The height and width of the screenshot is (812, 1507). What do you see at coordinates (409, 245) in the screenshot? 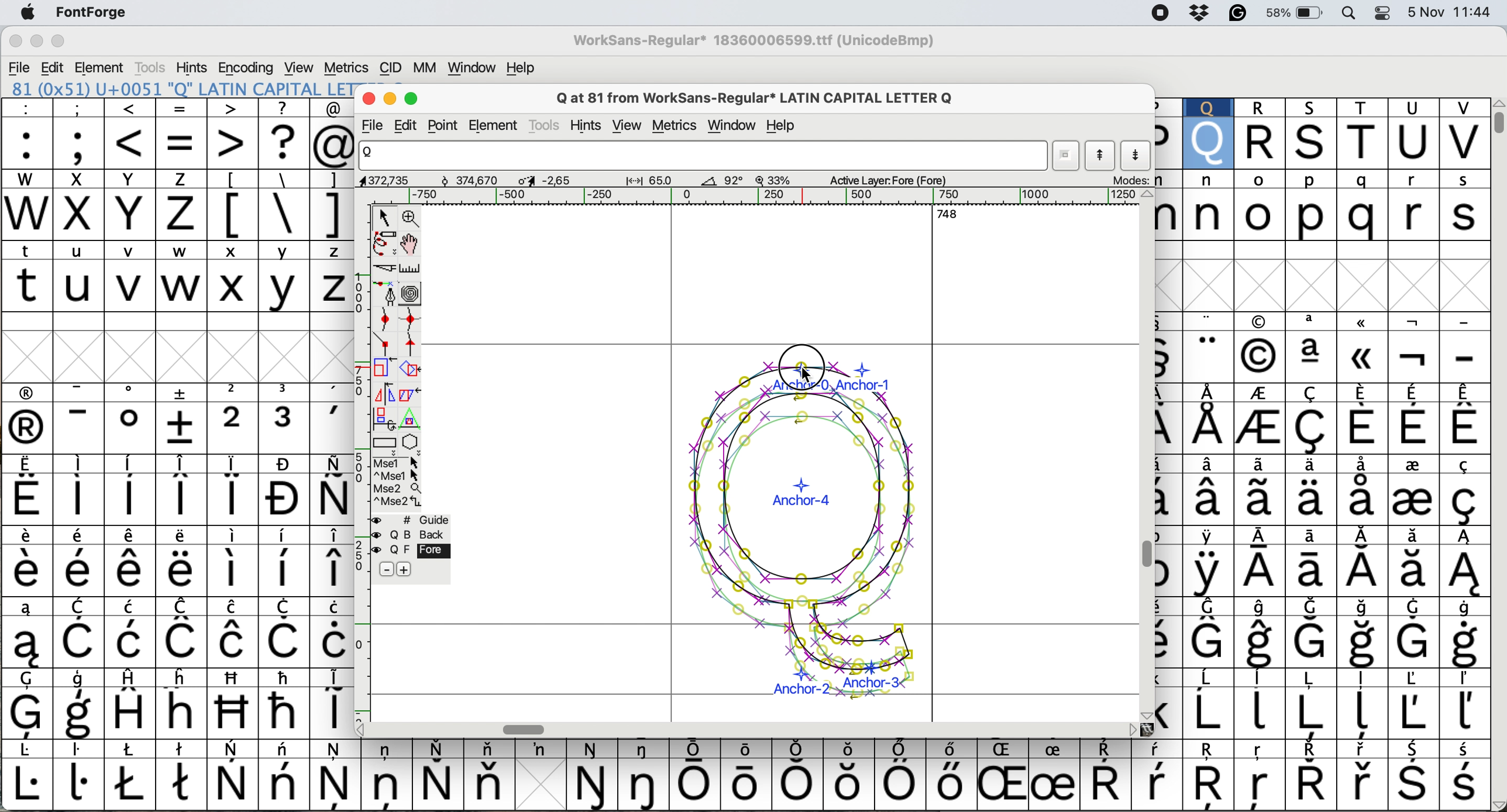
I see `scroll by hand` at bounding box center [409, 245].